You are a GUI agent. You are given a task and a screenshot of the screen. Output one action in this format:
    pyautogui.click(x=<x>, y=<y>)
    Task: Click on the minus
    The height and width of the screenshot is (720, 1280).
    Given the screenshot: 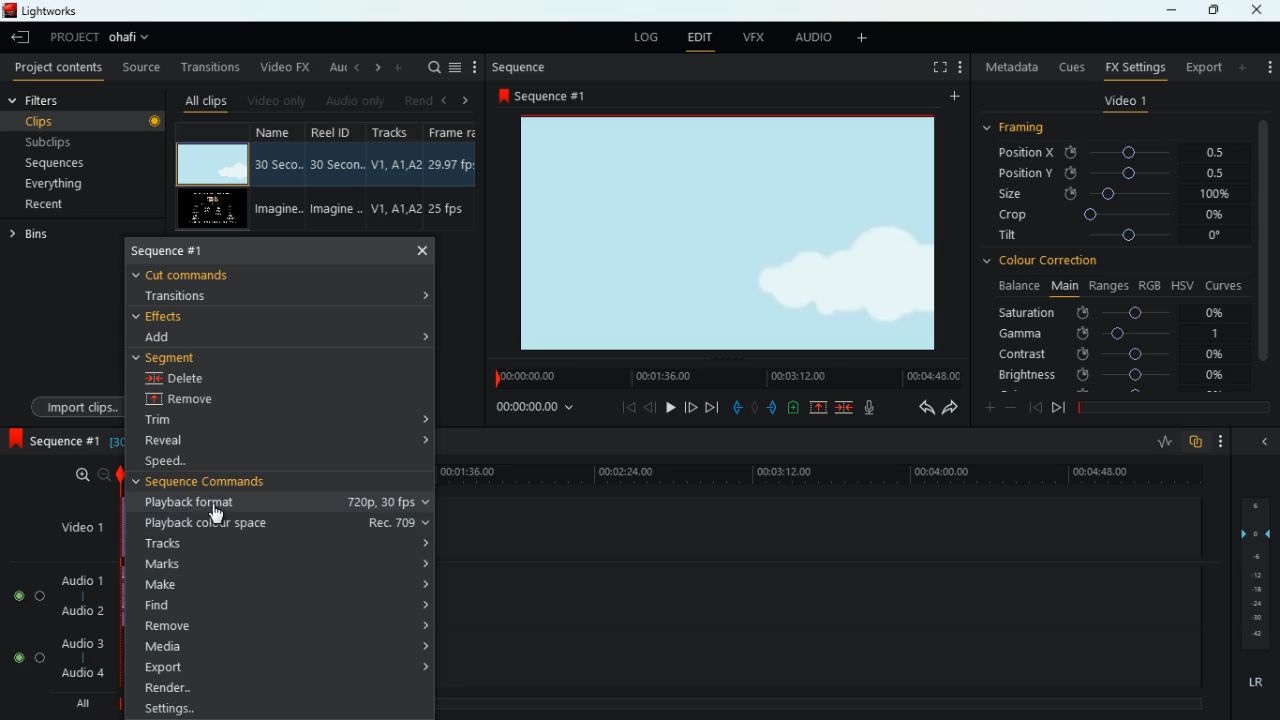 What is the action you would take?
    pyautogui.click(x=1010, y=407)
    